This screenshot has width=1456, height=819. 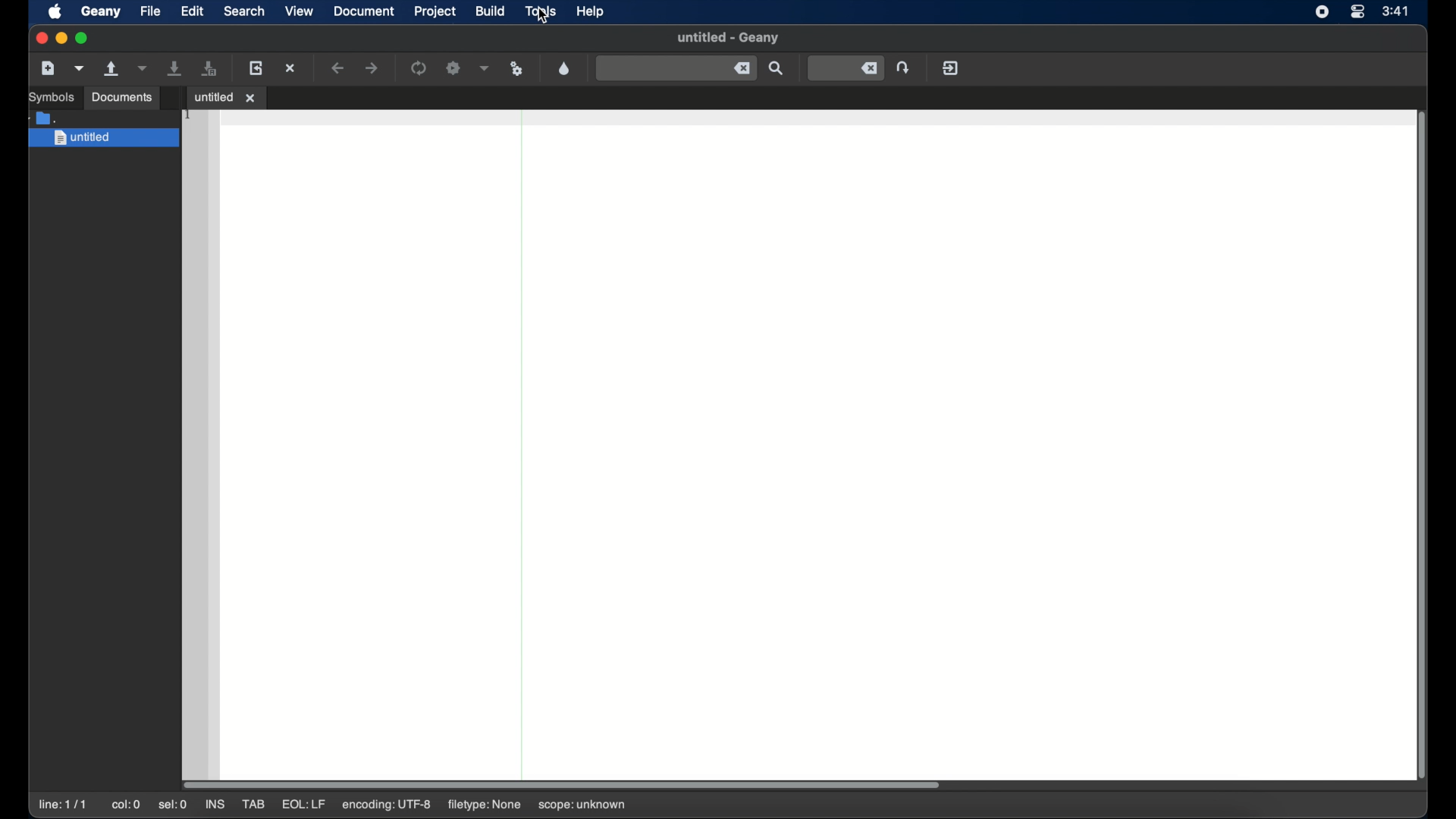 I want to click on document, so click(x=364, y=11).